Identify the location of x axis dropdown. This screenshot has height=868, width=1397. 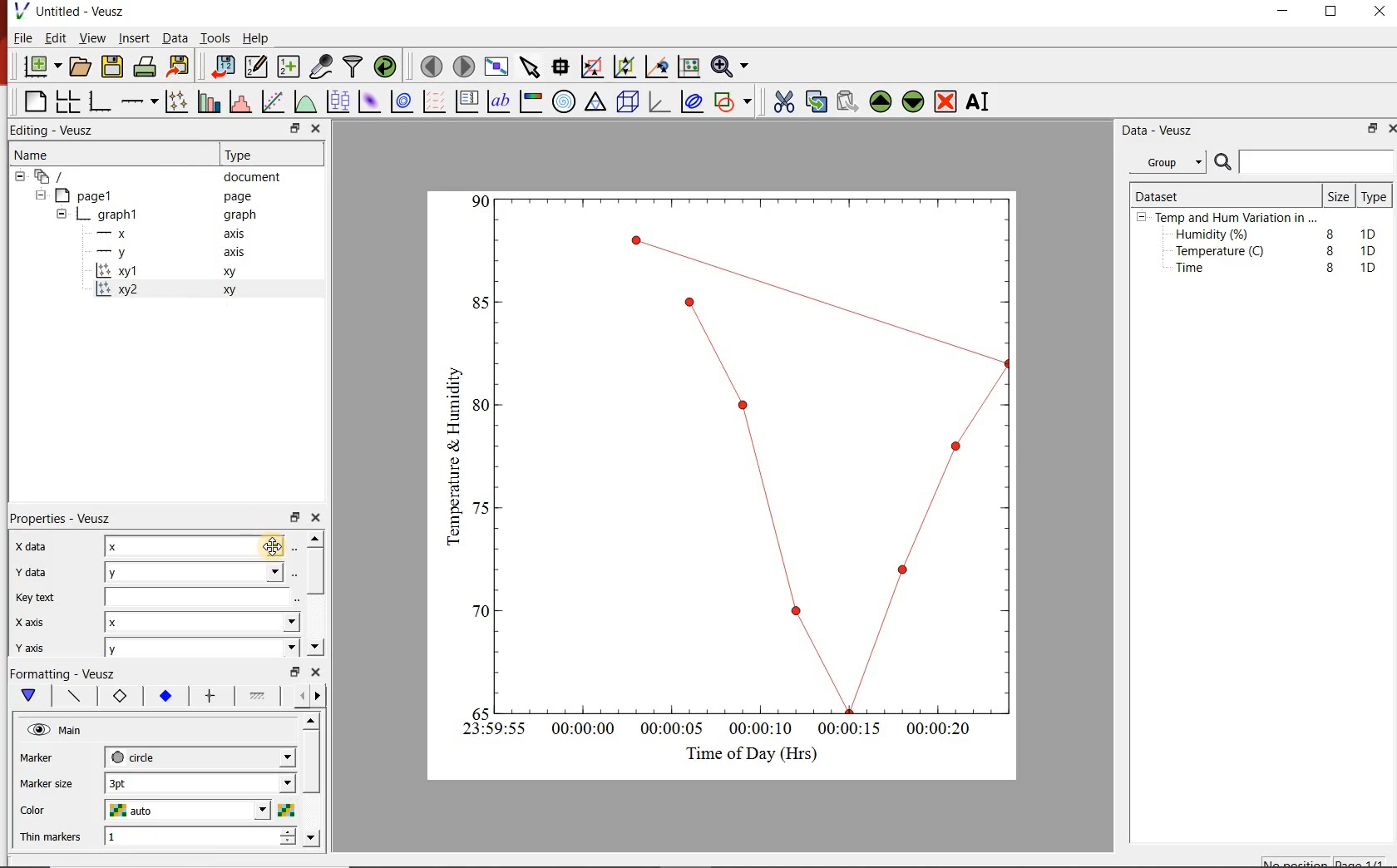
(273, 623).